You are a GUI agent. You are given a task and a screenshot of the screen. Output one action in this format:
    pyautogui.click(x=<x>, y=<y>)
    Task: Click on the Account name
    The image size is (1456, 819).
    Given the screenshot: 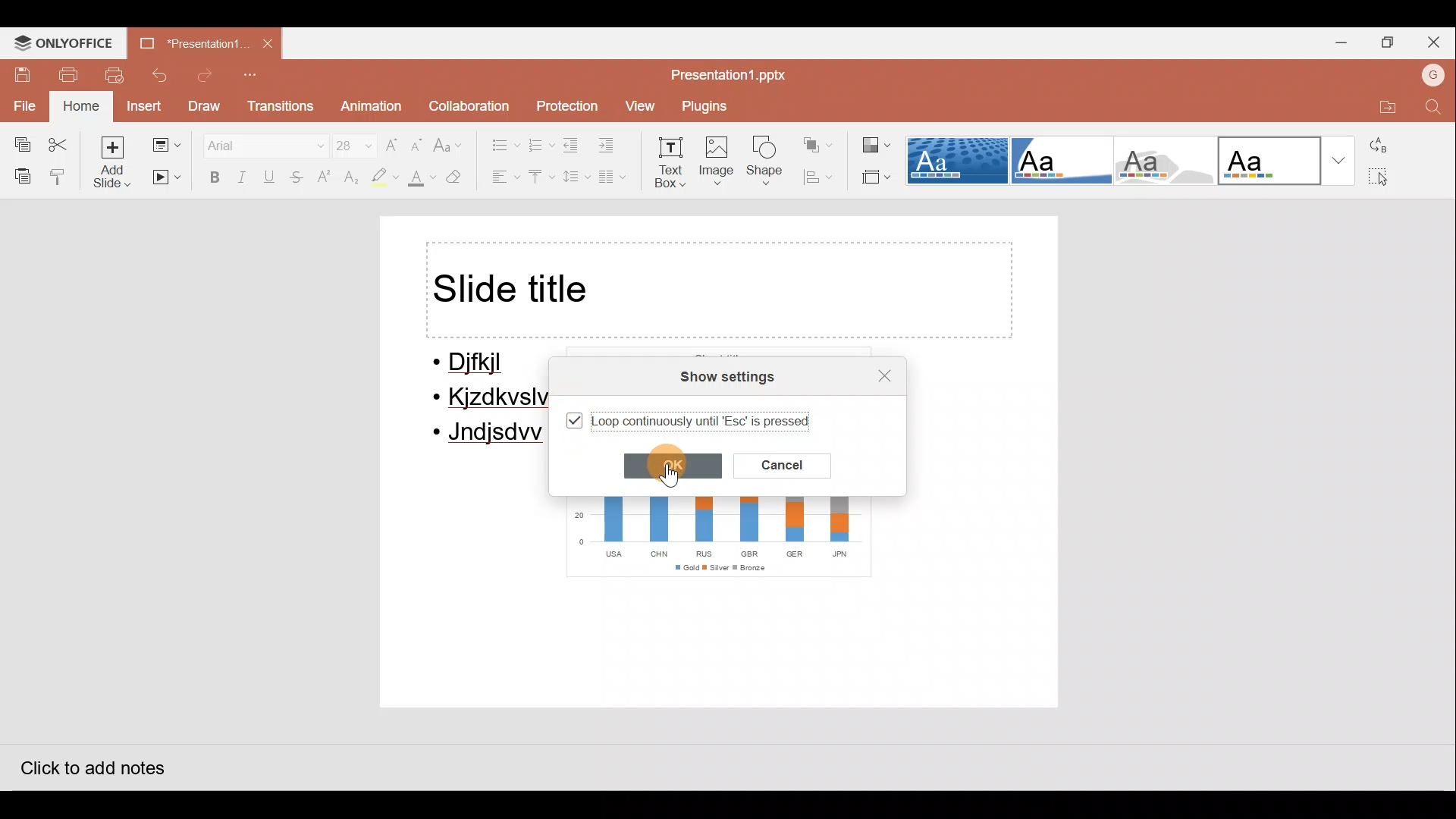 What is the action you would take?
    pyautogui.click(x=1432, y=77)
    